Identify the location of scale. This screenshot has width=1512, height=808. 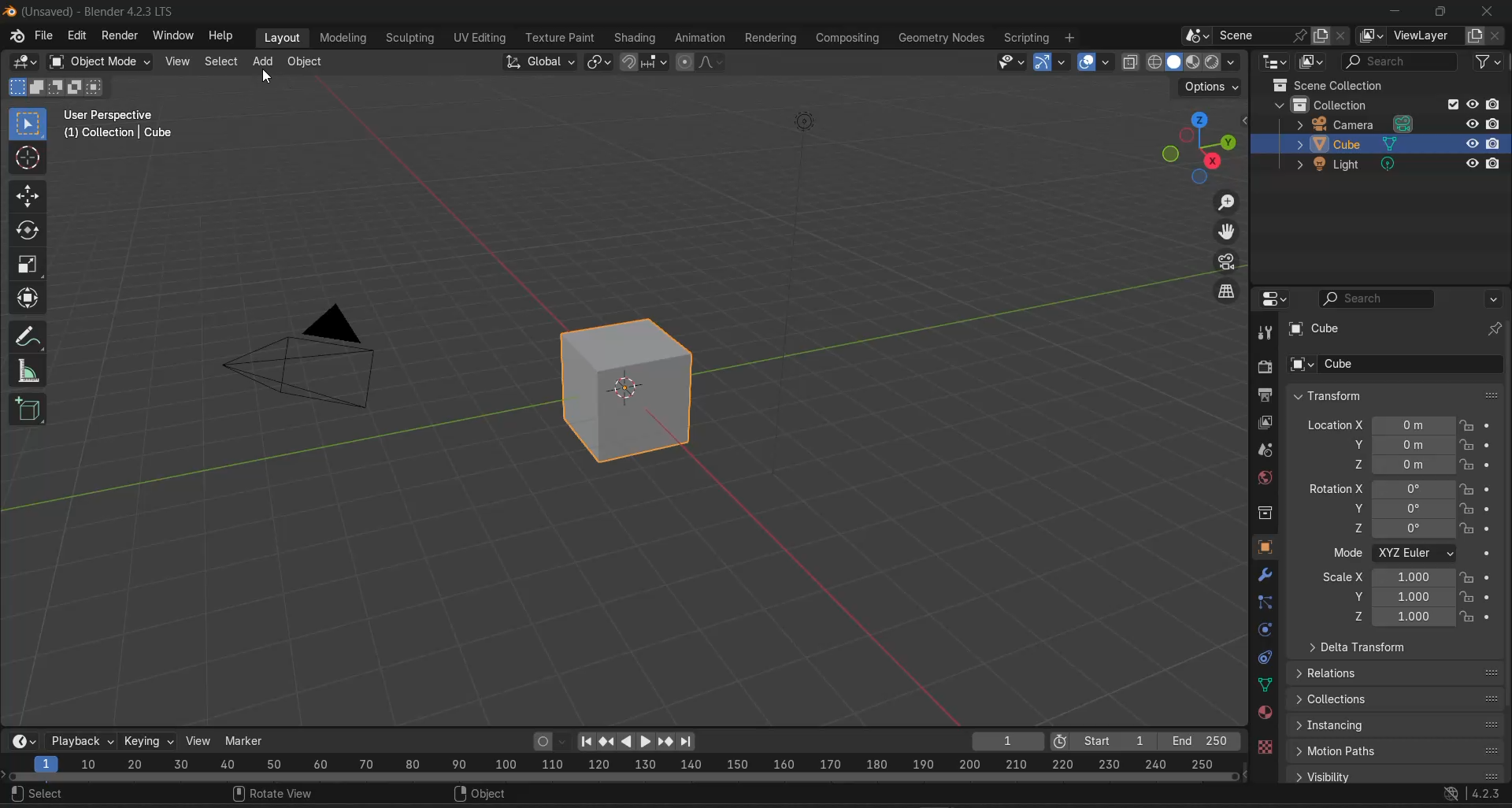
(30, 265).